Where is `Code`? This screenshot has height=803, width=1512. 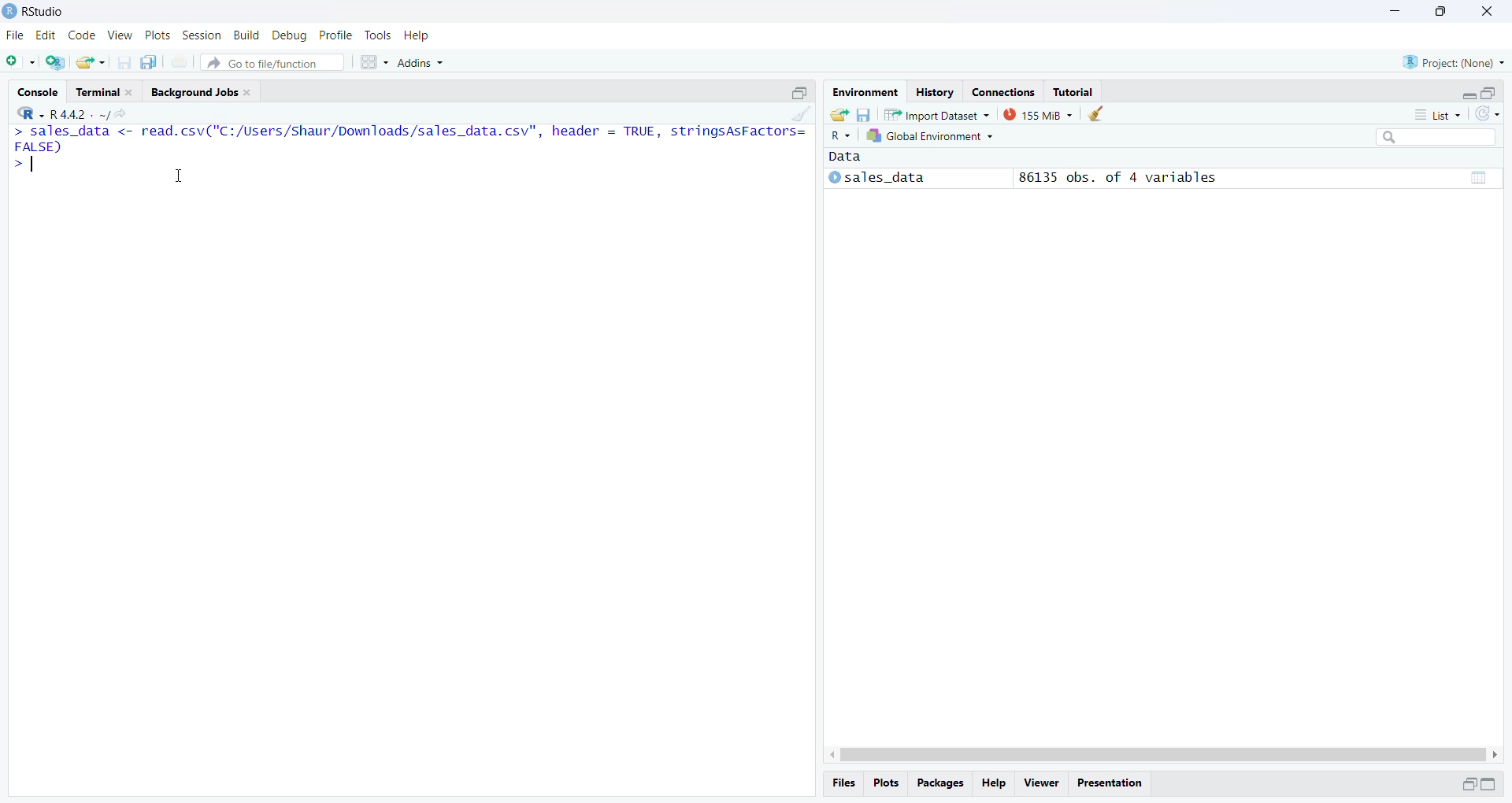
Code is located at coordinates (83, 38).